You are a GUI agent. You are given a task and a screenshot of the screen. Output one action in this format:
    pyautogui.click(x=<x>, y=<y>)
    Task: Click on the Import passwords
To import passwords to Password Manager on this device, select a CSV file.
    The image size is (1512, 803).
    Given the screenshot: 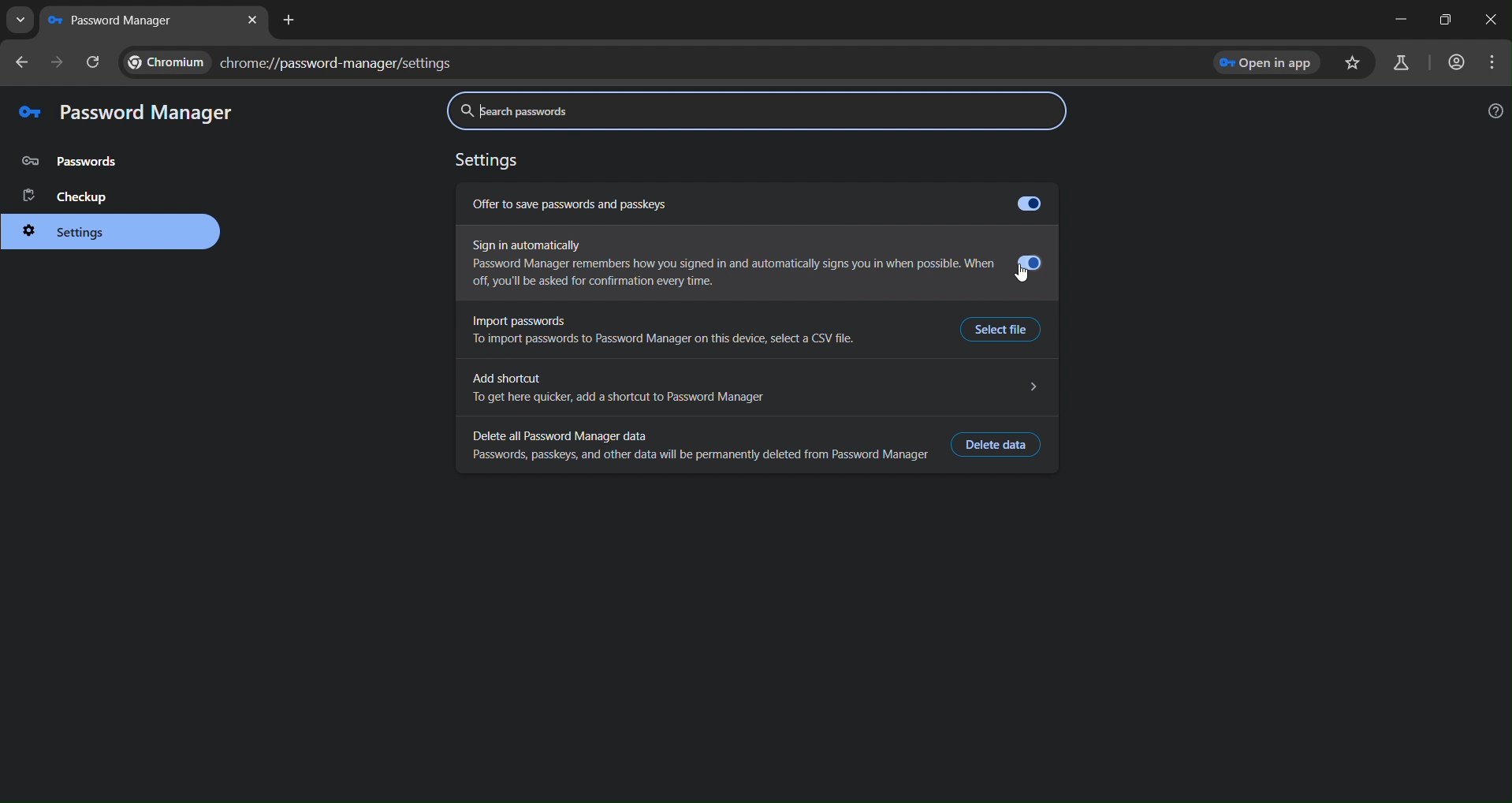 What is the action you would take?
    pyautogui.click(x=662, y=333)
    